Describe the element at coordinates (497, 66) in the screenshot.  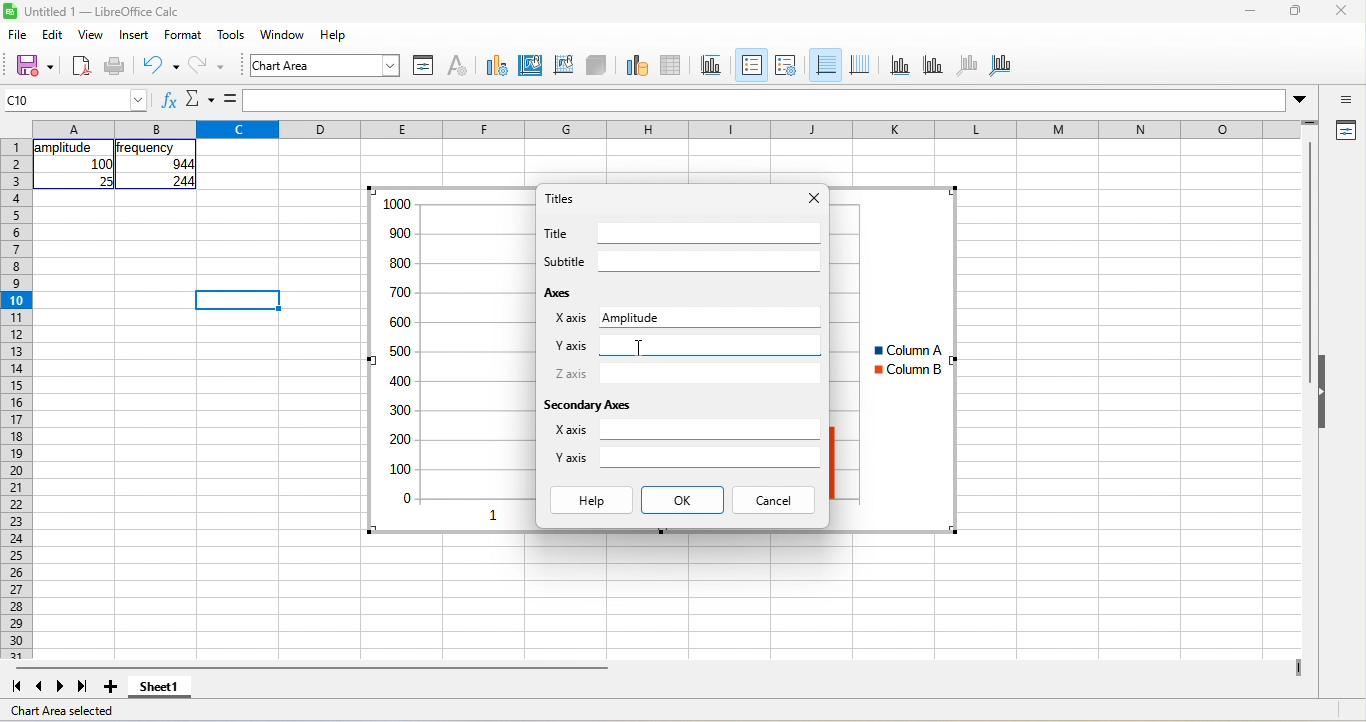
I see `chart type` at that location.